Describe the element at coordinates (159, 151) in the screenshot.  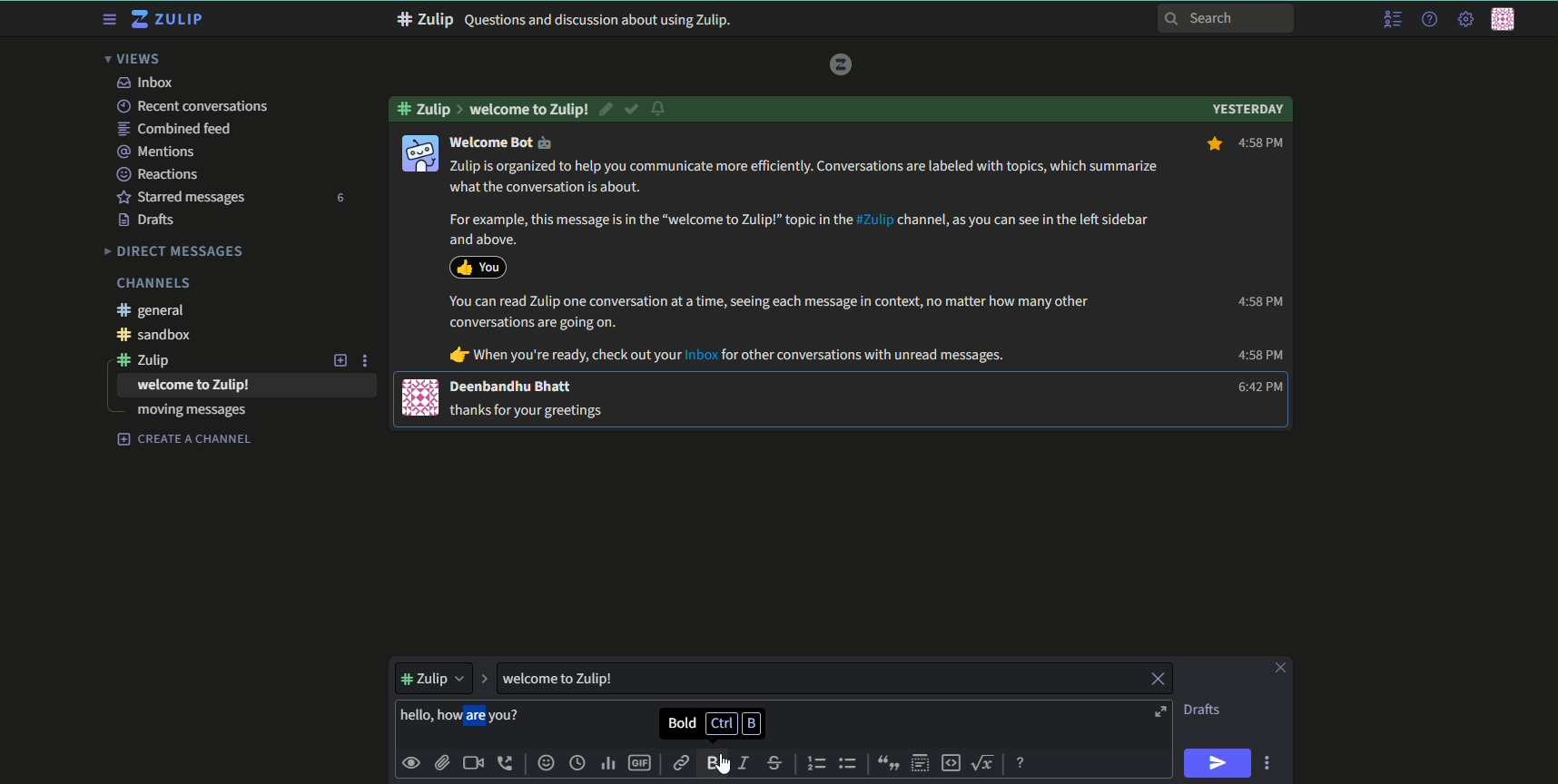
I see `mentions` at that location.